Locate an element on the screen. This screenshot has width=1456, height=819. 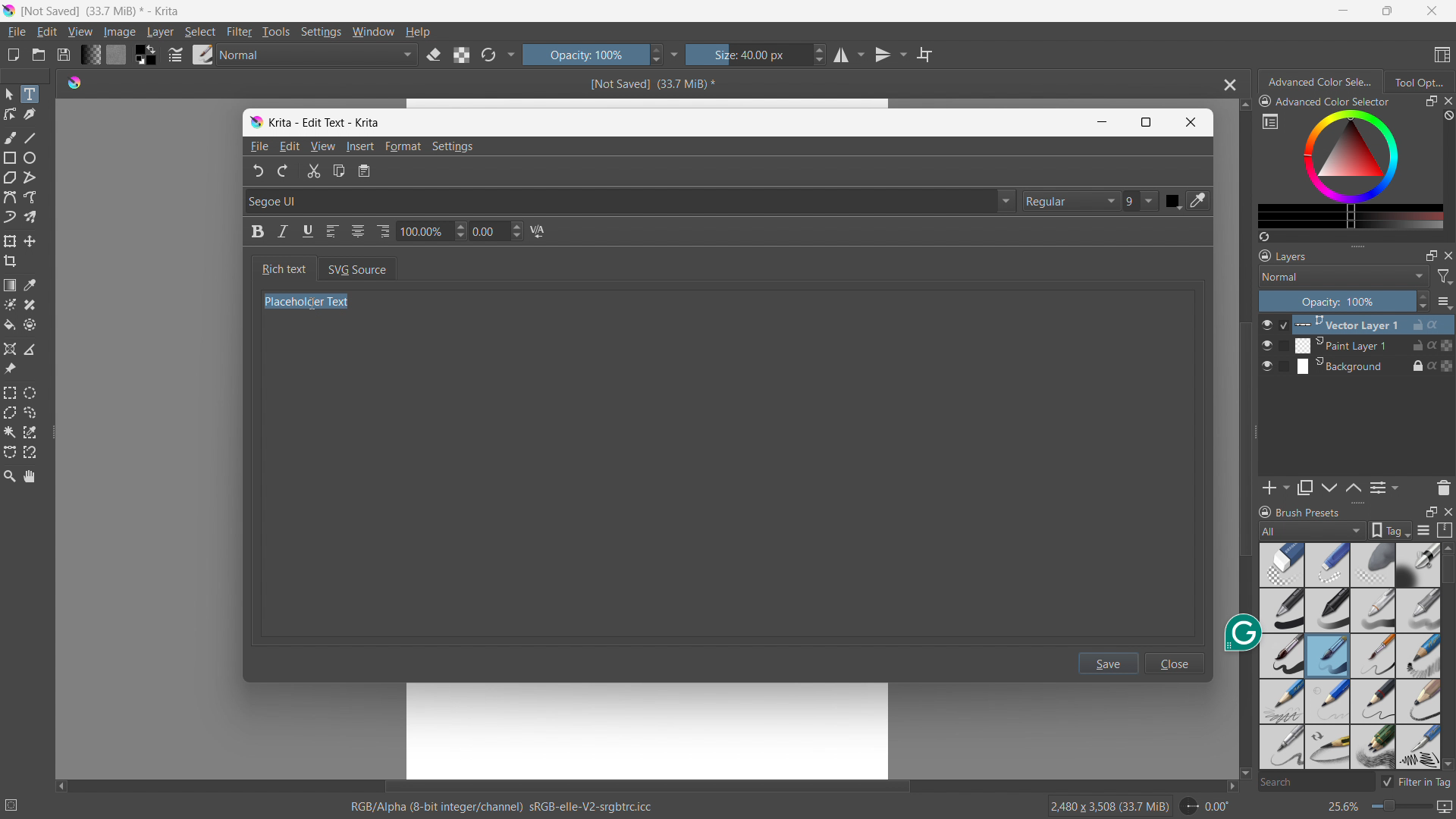
search is located at coordinates (1314, 783).